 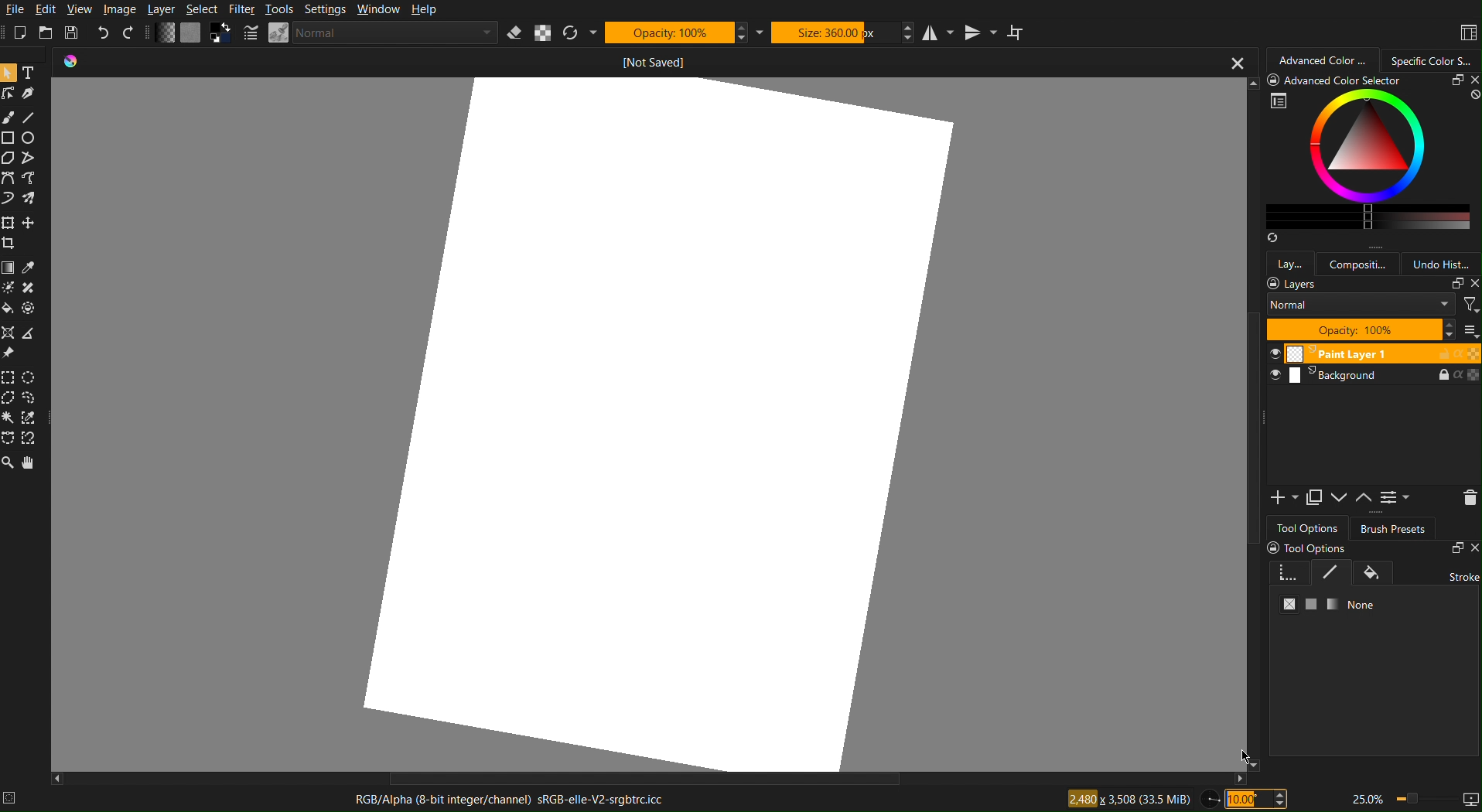 What do you see at coordinates (28, 92) in the screenshot?
I see `Pen` at bounding box center [28, 92].